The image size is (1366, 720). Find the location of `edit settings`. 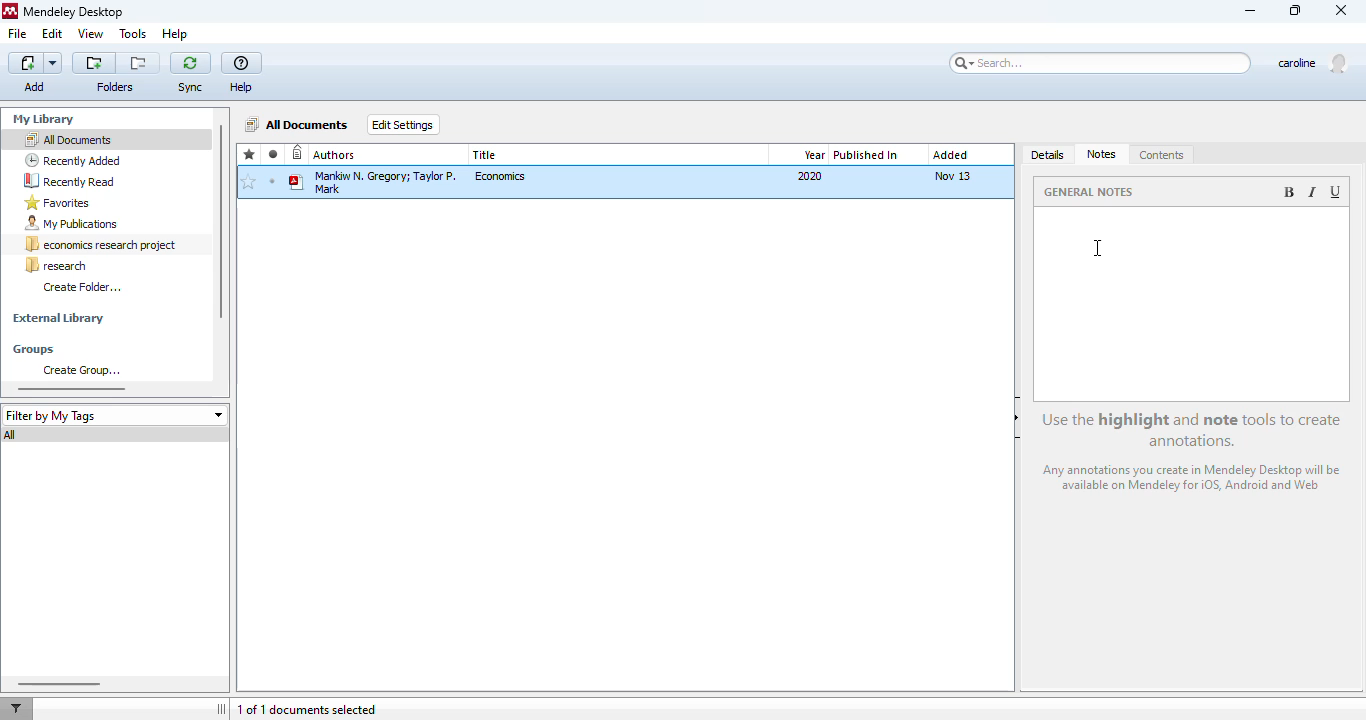

edit settings is located at coordinates (404, 124).